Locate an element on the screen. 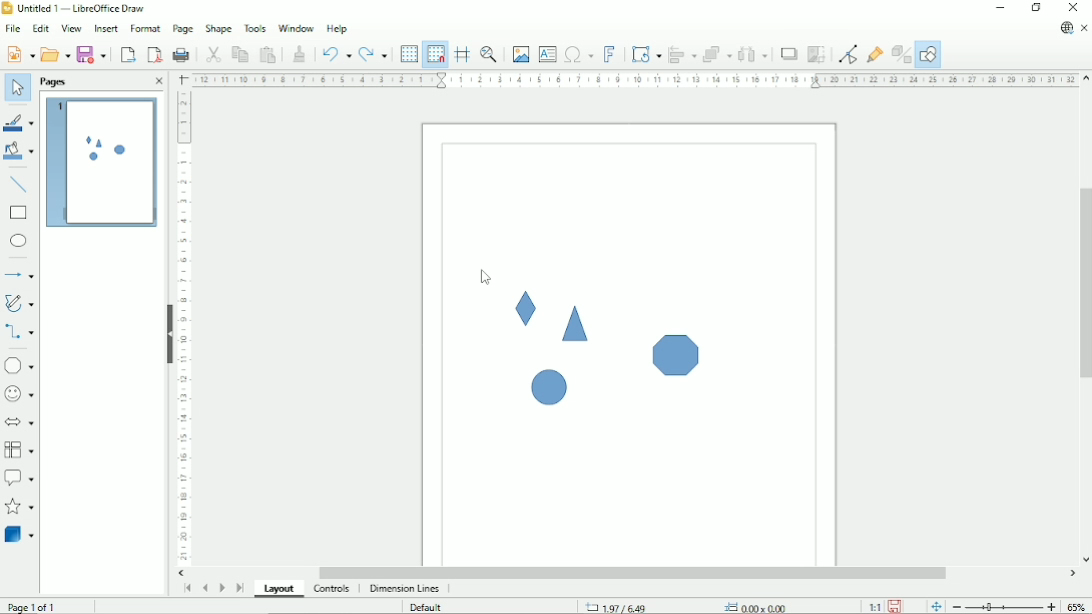  Zoom factor is located at coordinates (1078, 606).